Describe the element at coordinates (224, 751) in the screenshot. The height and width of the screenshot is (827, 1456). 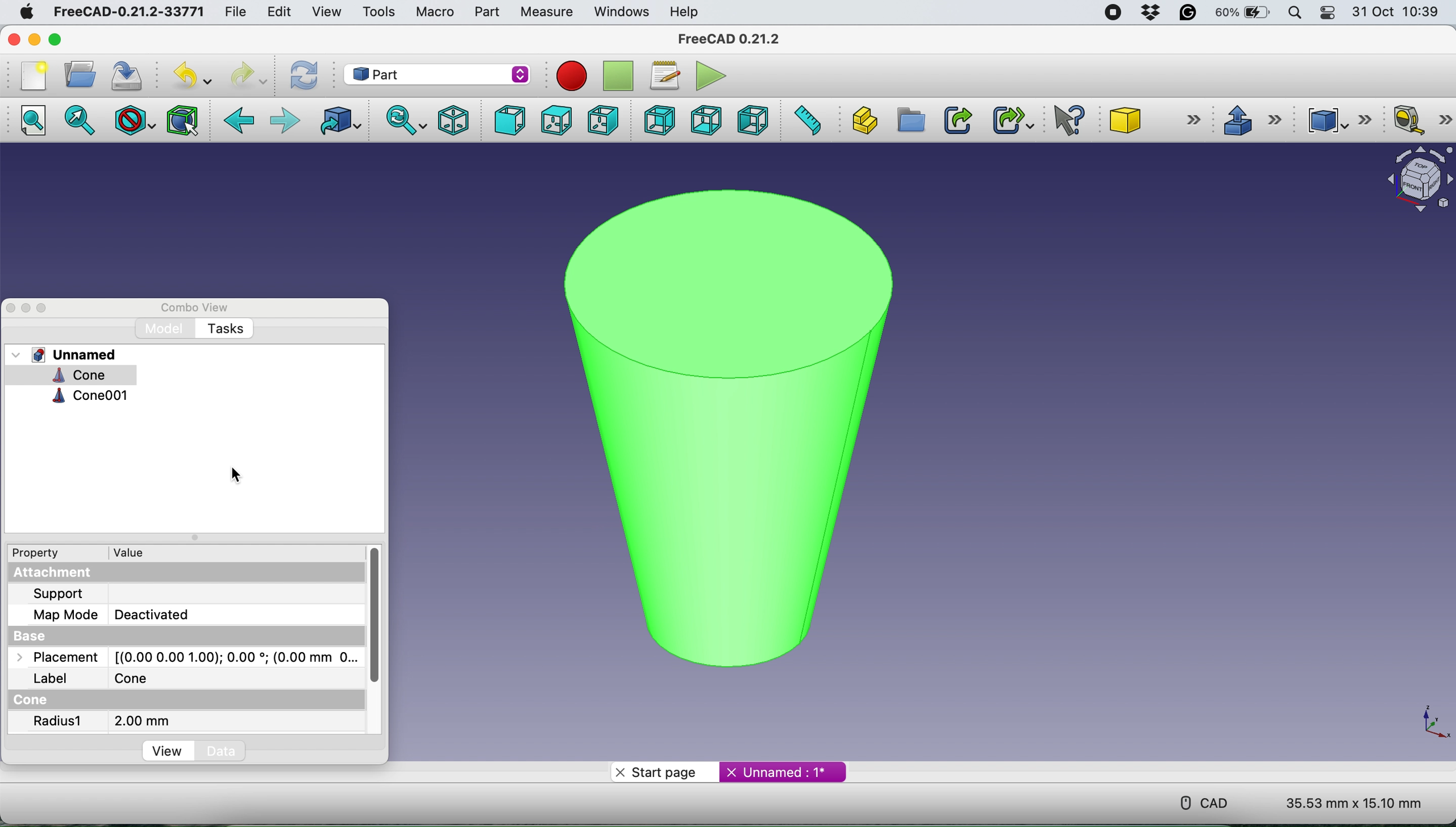
I see `data` at that location.